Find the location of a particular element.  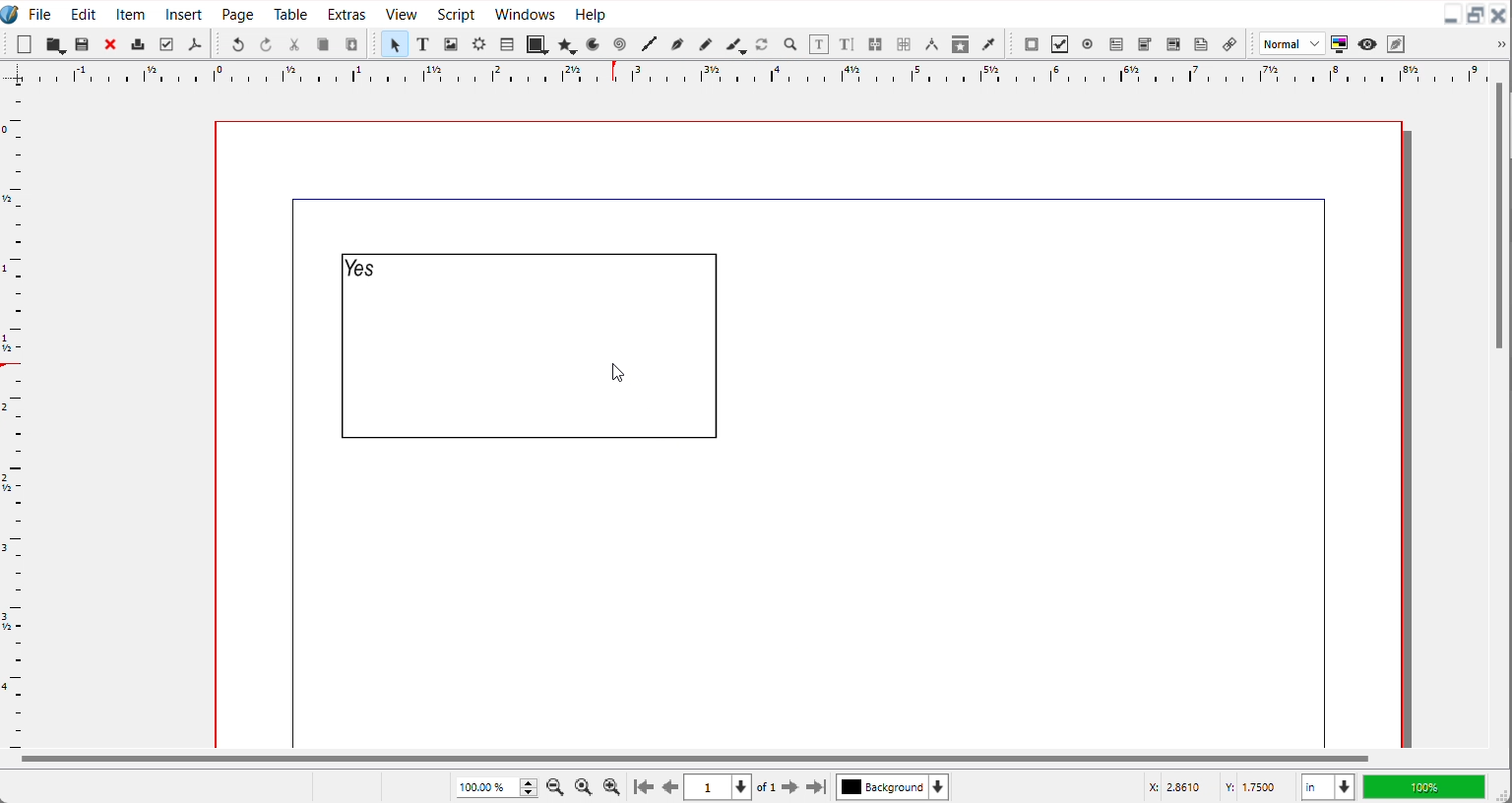

Table is located at coordinates (506, 43).